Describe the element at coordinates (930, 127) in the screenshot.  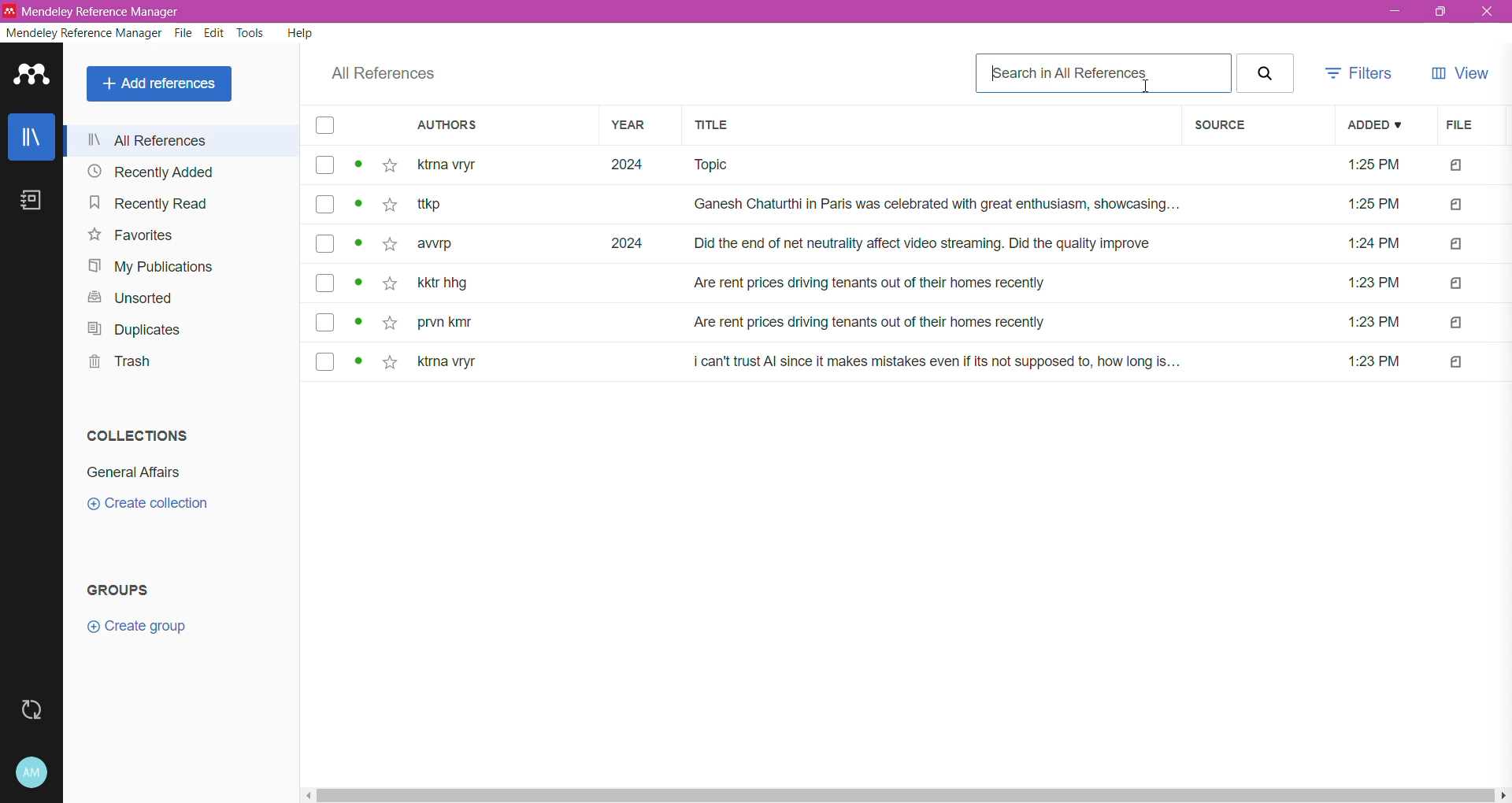
I see `Title` at that location.